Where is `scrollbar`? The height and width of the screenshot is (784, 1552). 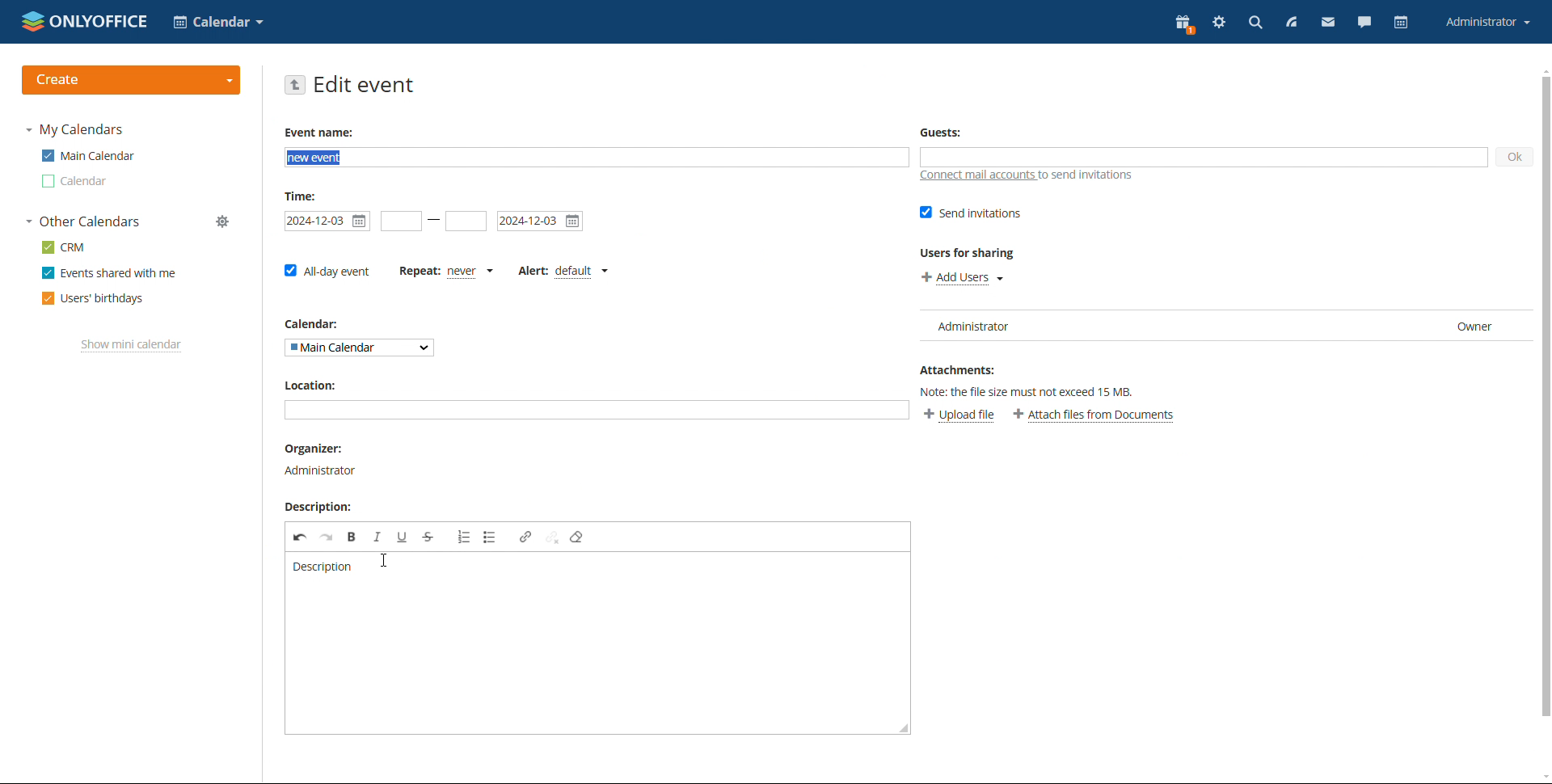 scrollbar is located at coordinates (1551, 400).